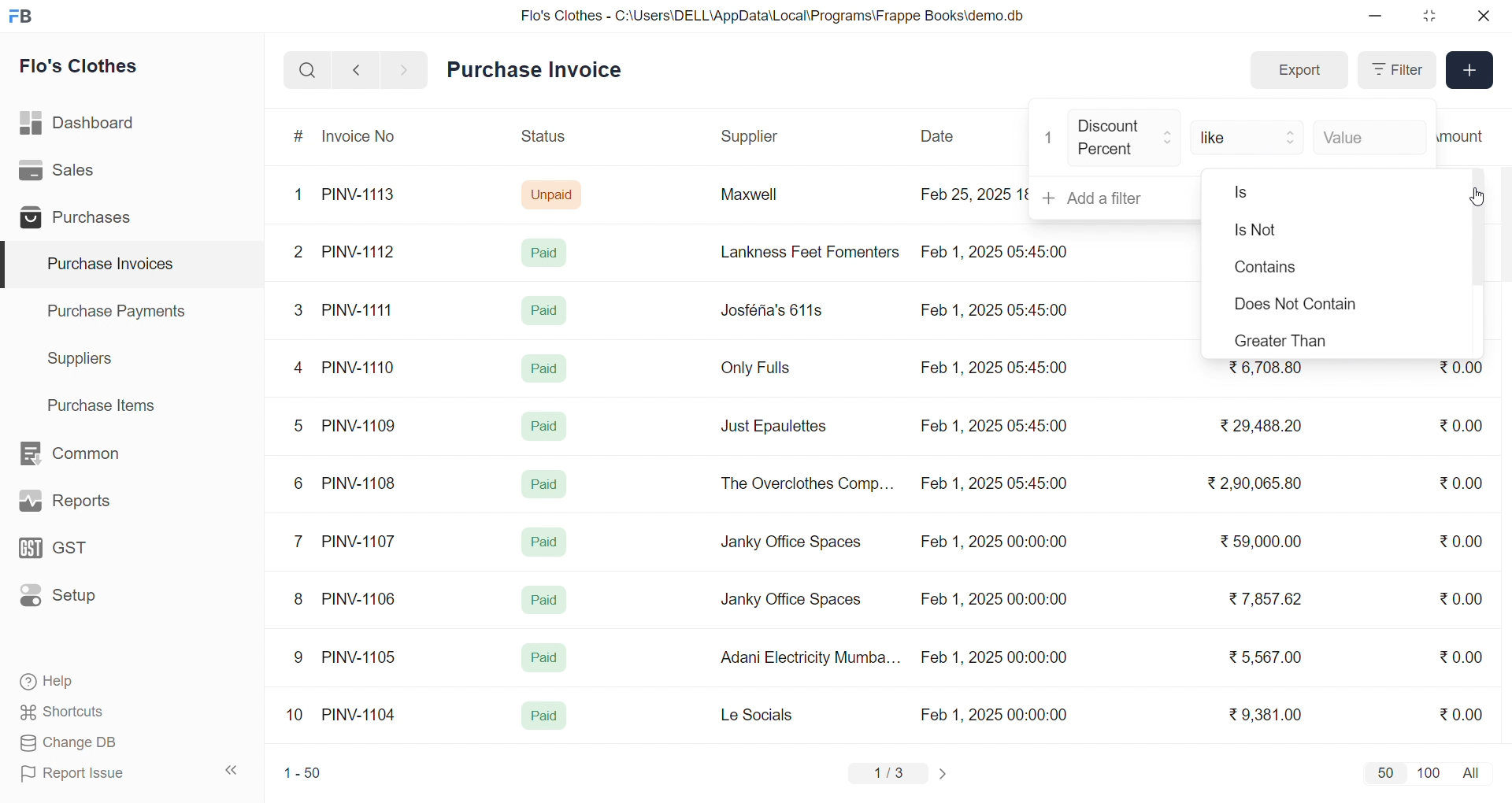 This screenshot has width=1512, height=803. I want to click on PINV-1109, so click(361, 425).